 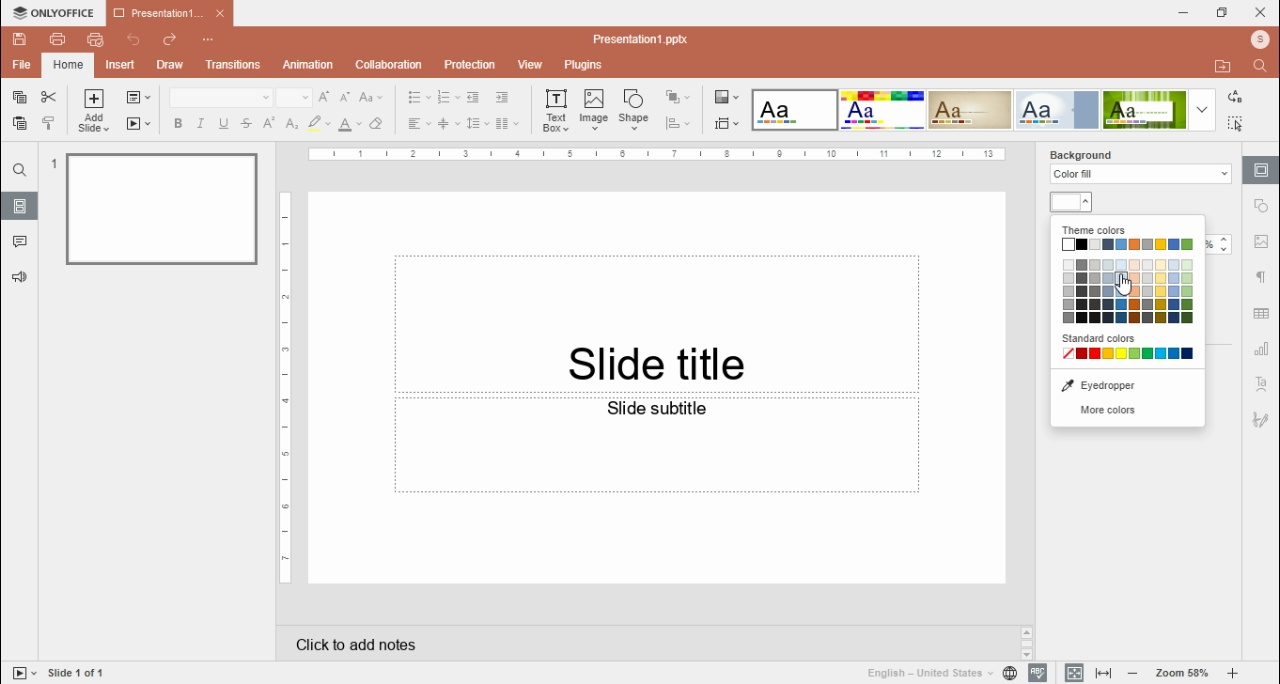 What do you see at coordinates (48, 97) in the screenshot?
I see `cut` at bounding box center [48, 97].